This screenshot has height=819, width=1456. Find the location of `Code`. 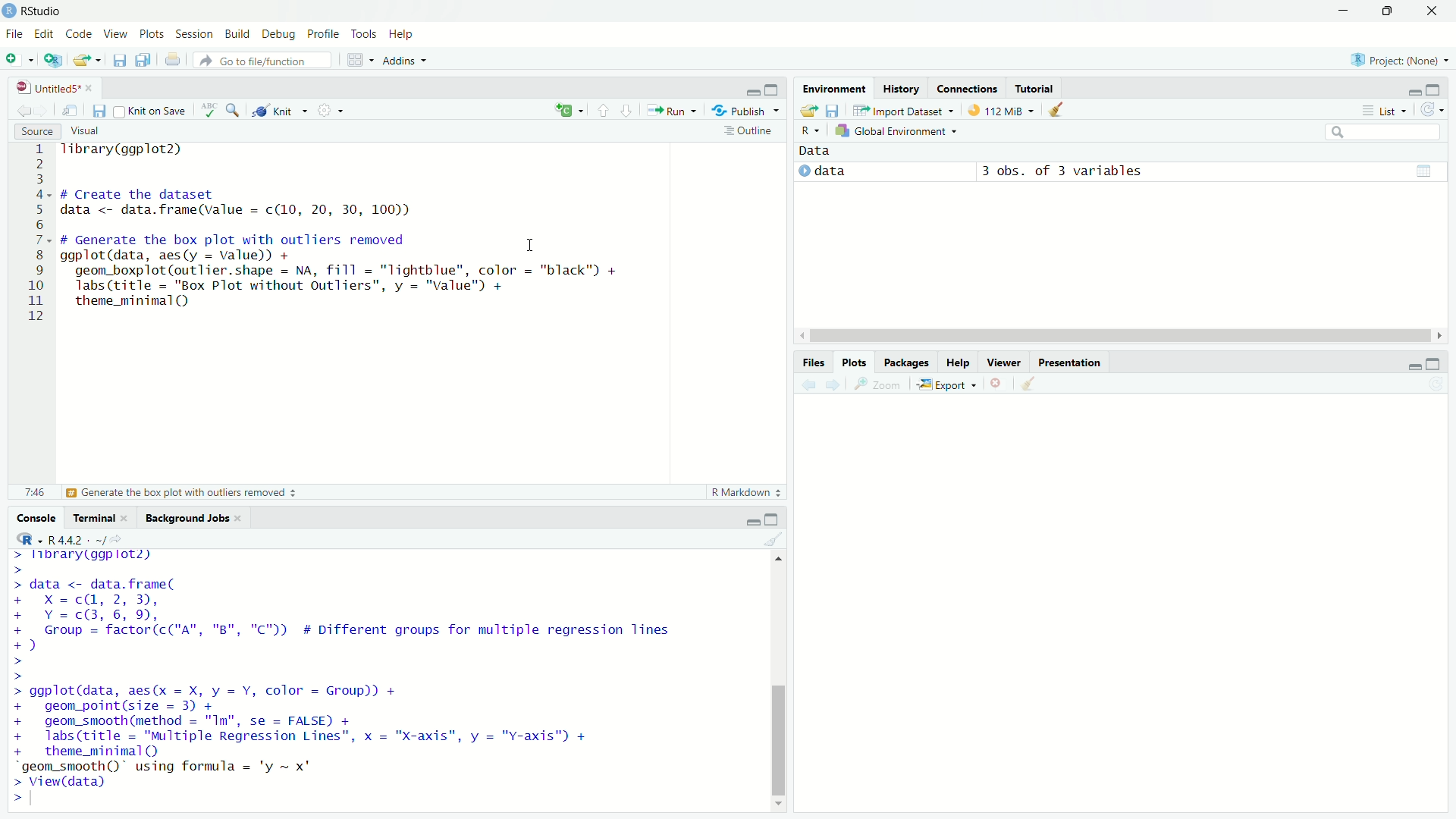

Code is located at coordinates (79, 34).